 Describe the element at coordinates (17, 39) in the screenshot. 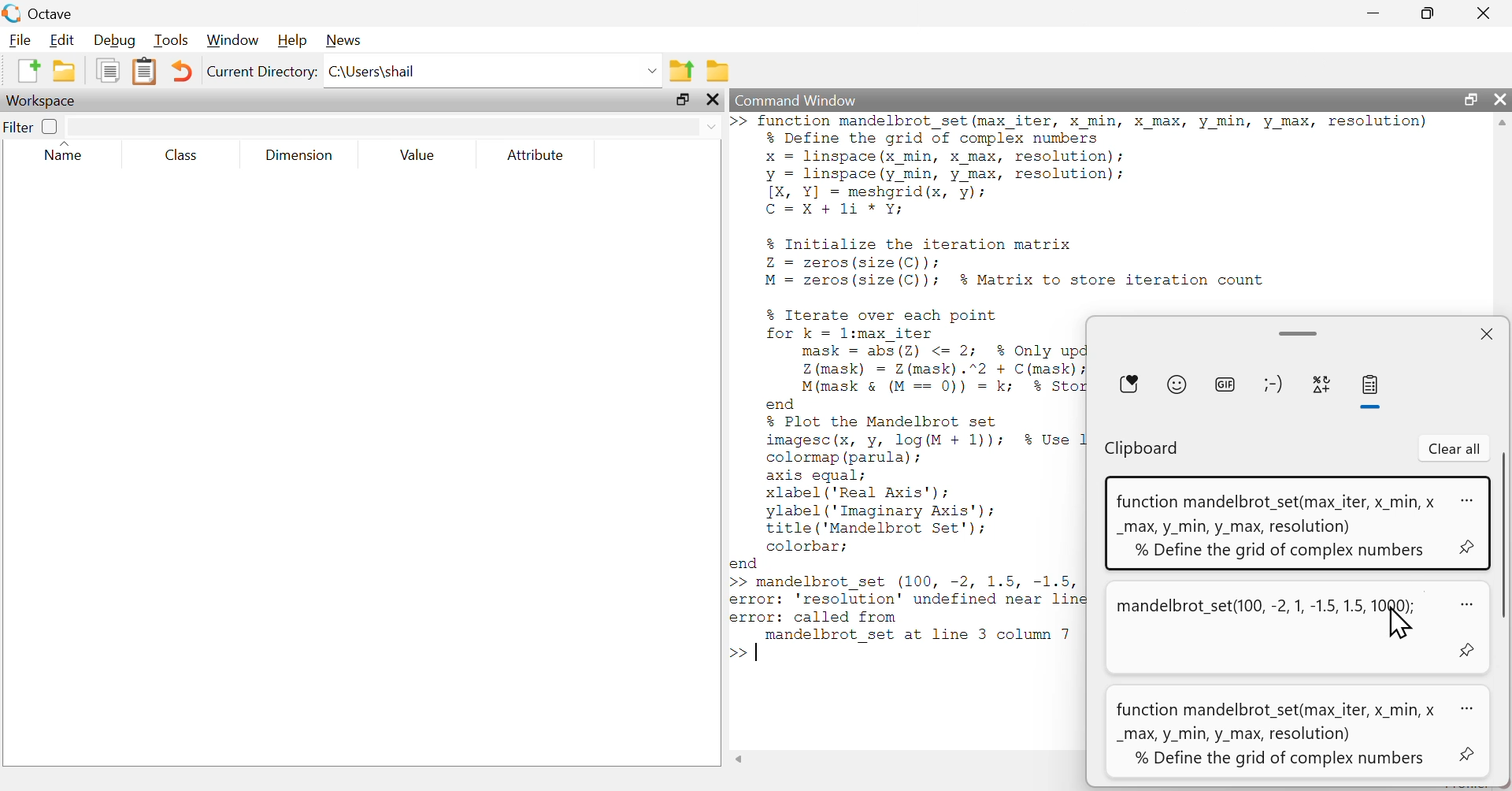

I see `File` at that location.